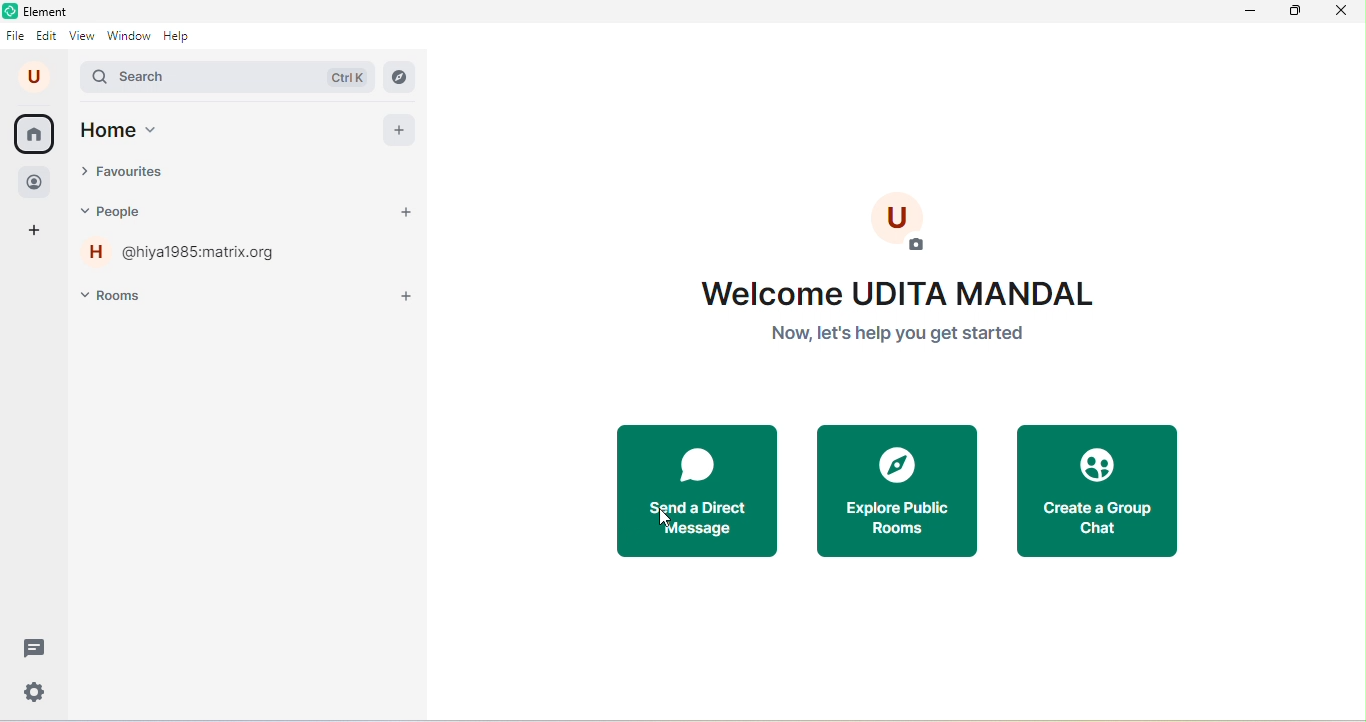  I want to click on maximize, so click(1290, 13).